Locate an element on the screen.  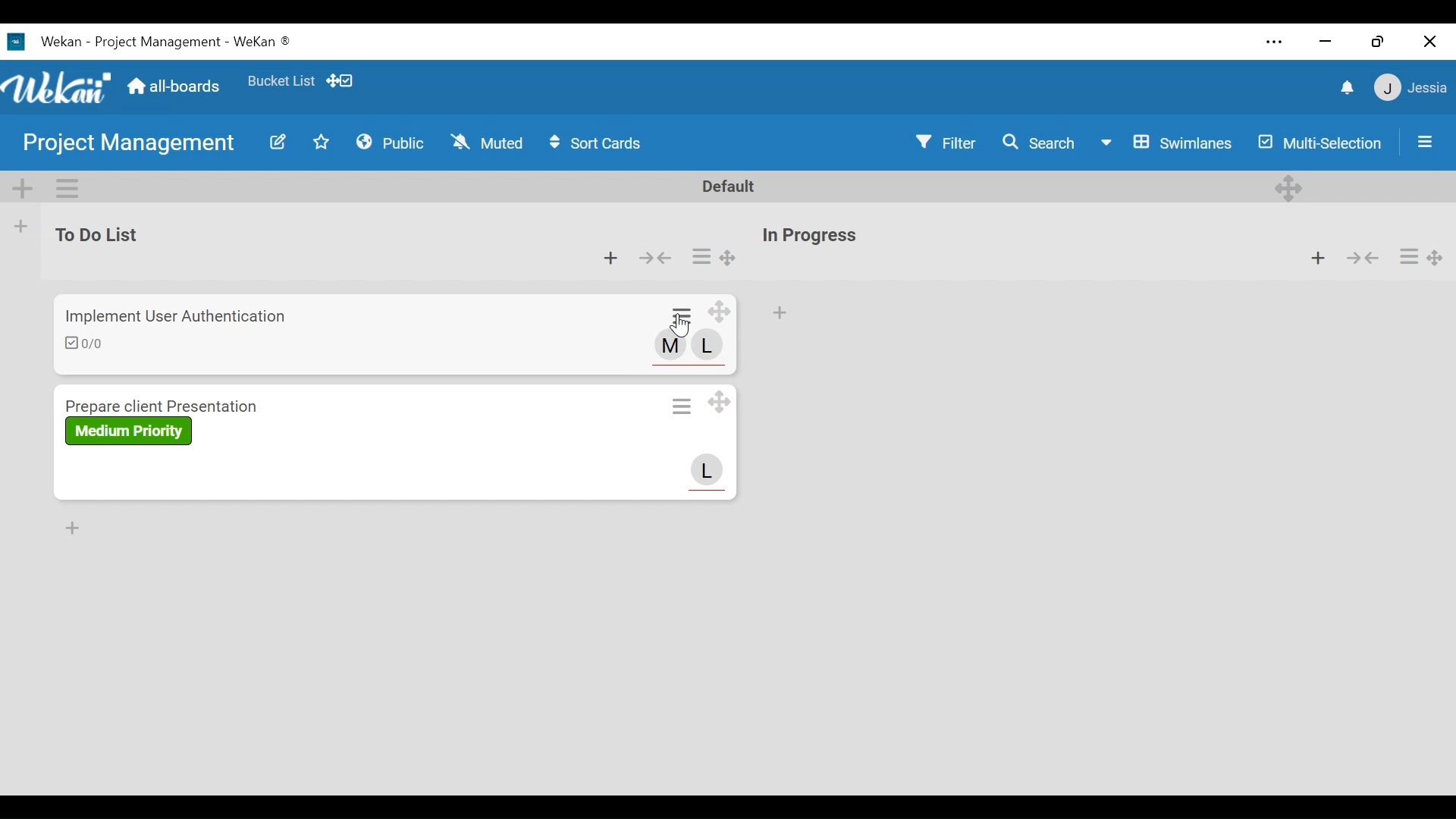
Filter is located at coordinates (948, 142).